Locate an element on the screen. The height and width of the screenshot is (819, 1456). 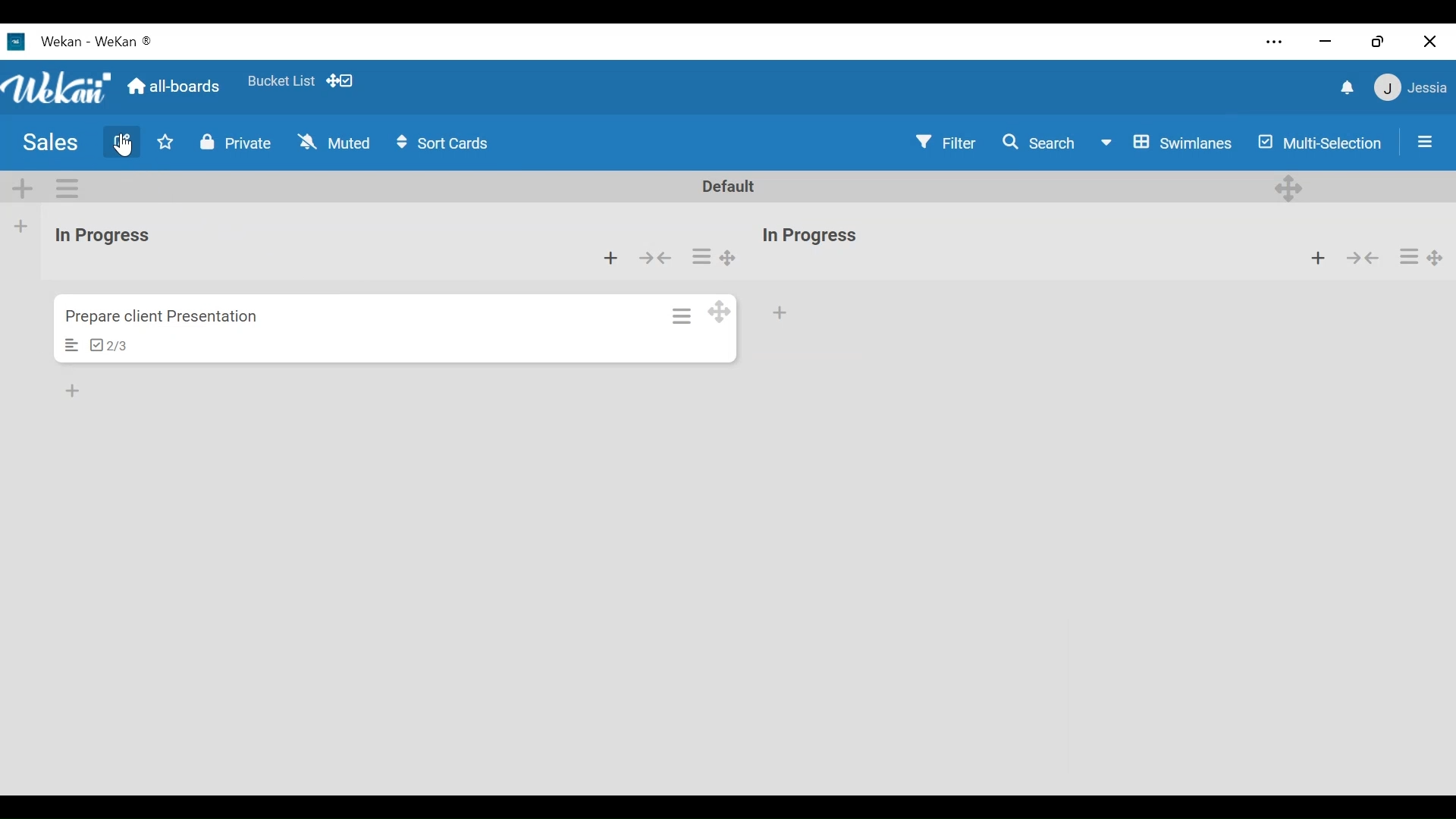
Show desktop drag handle is located at coordinates (340, 80).